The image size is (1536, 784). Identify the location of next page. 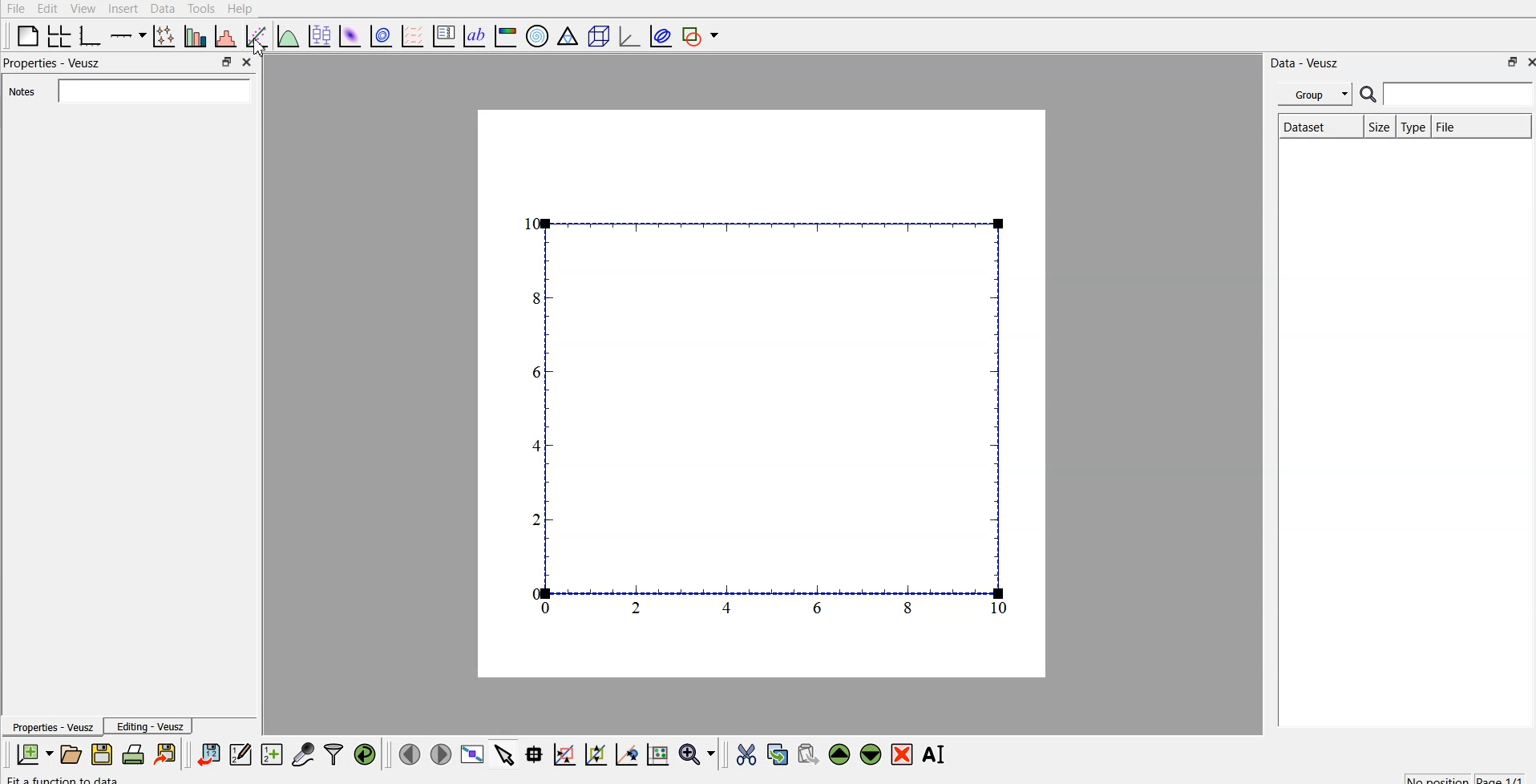
(440, 756).